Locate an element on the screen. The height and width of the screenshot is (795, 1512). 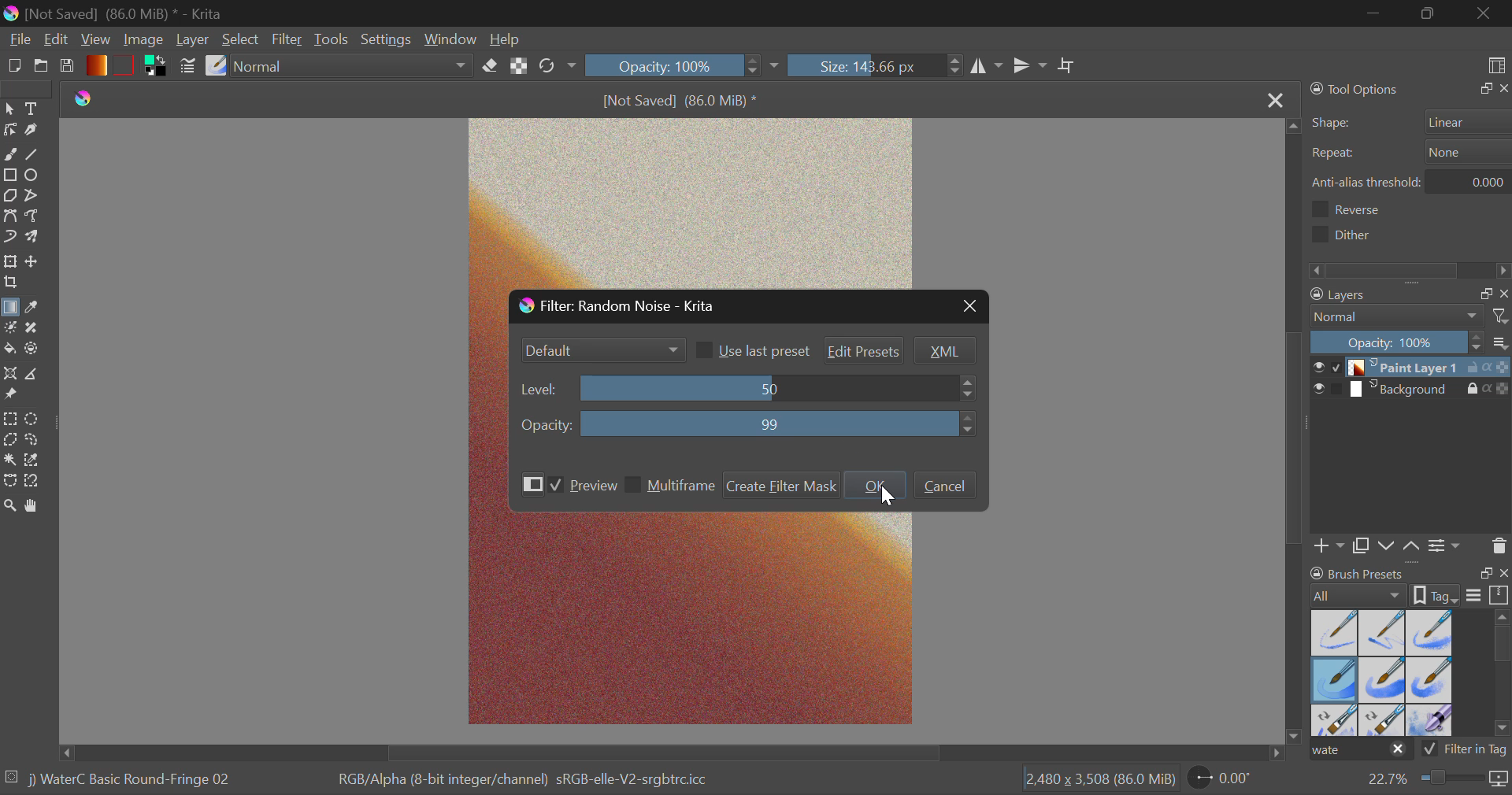
expand is located at coordinates (1486, 573).